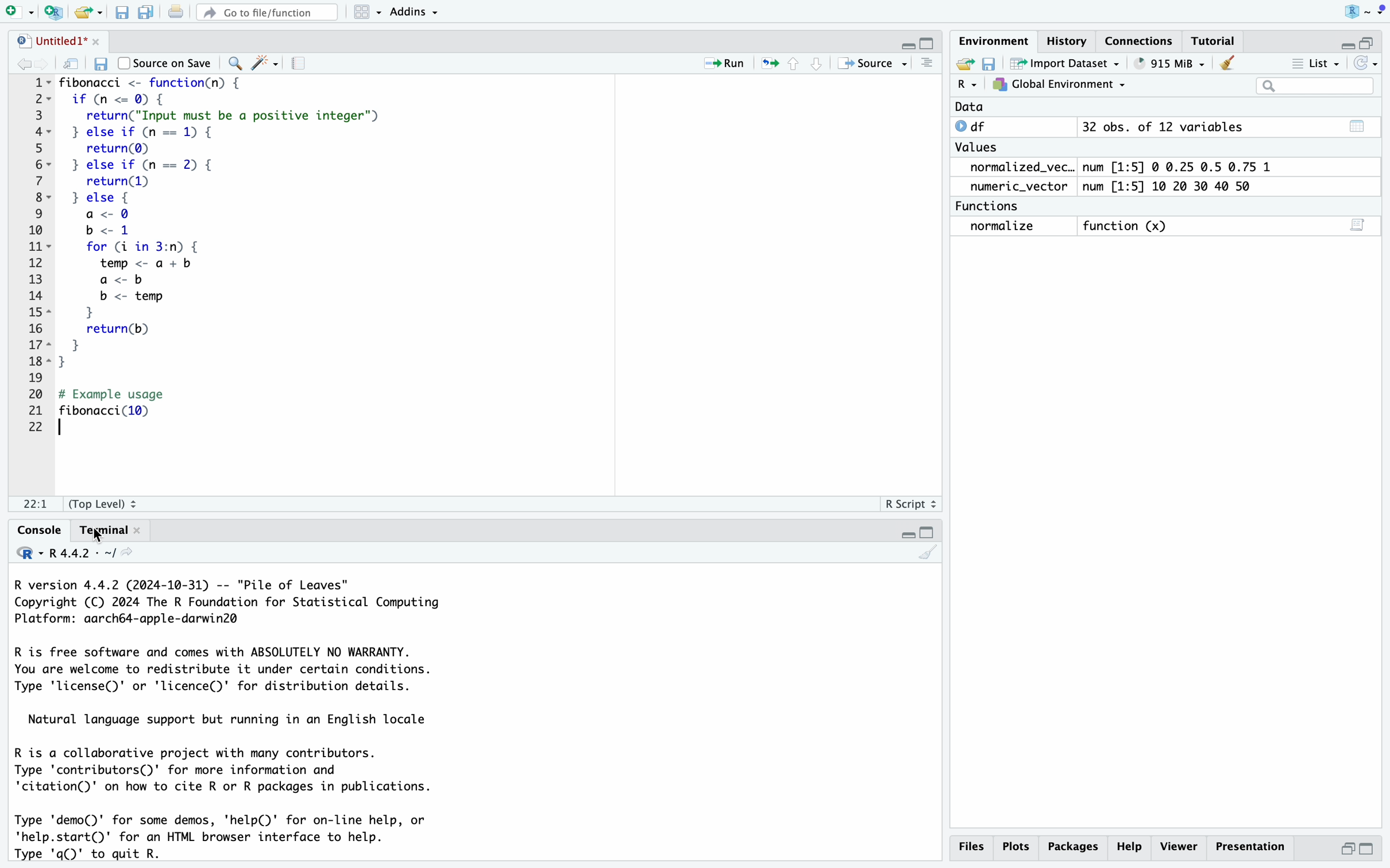 Image resolution: width=1390 pixels, height=868 pixels. What do you see at coordinates (1062, 86) in the screenshot?
I see `global environment` at bounding box center [1062, 86].